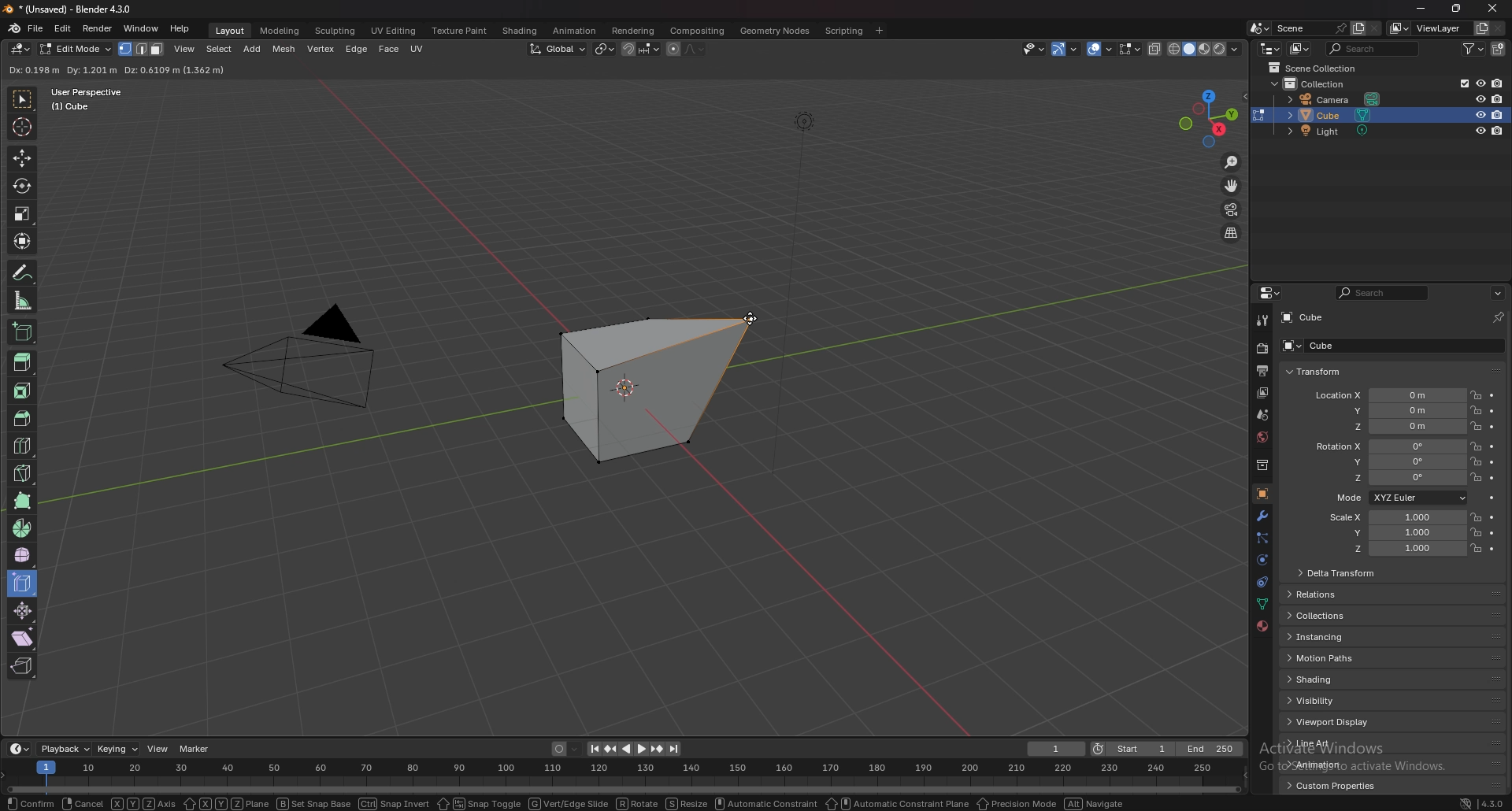 The height and width of the screenshot is (811, 1512). I want to click on light, so click(1336, 133).